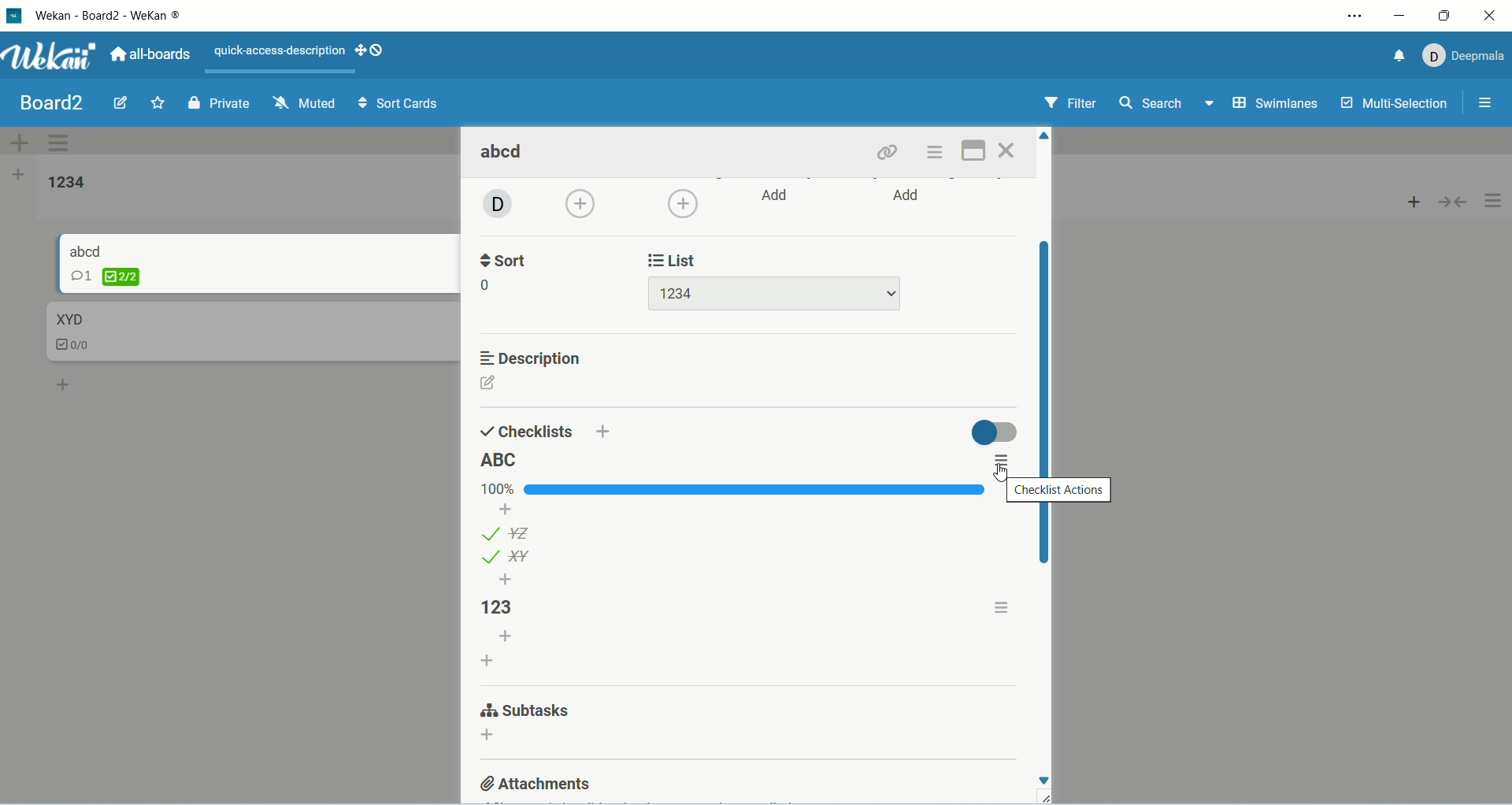 The image size is (1512, 805). Describe the element at coordinates (400, 104) in the screenshot. I see `sort cards` at that location.